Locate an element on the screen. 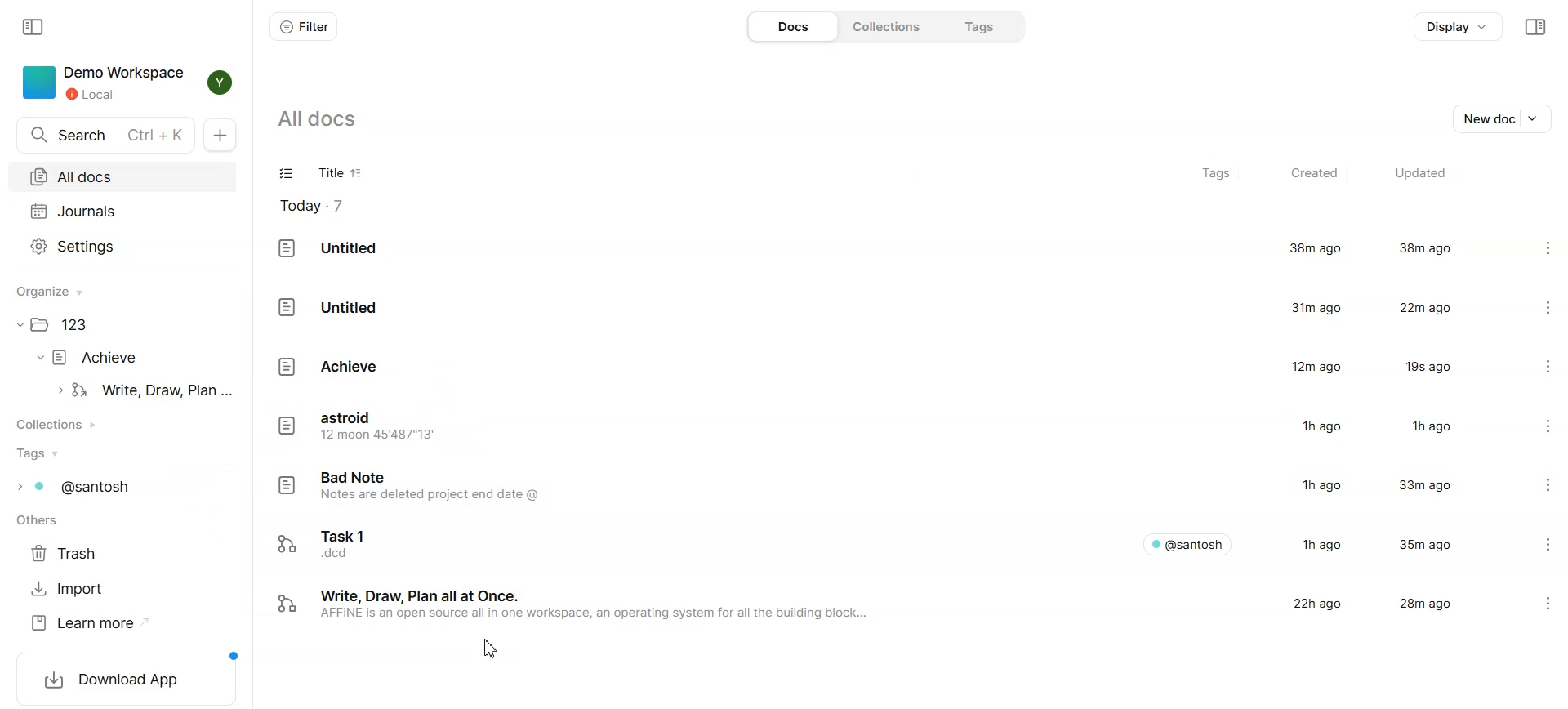 This screenshot has width=1568, height=709. Tags is located at coordinates (41, 453).